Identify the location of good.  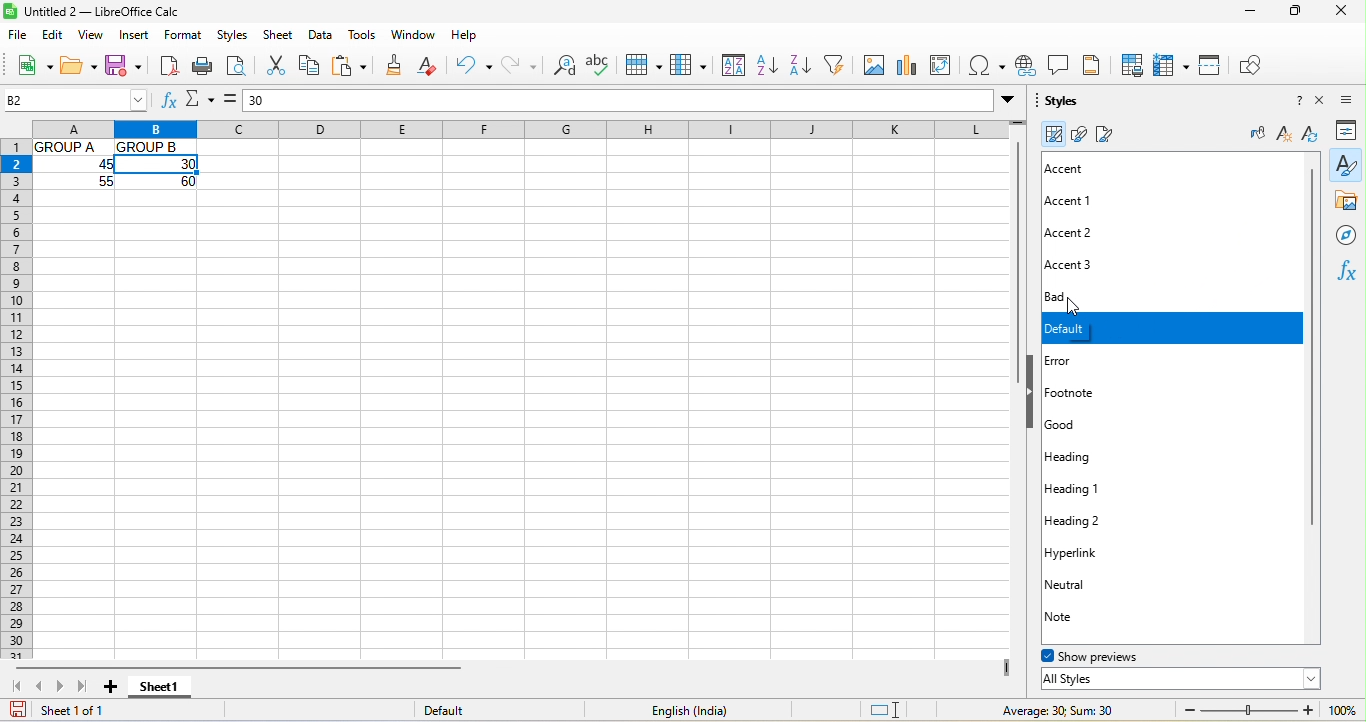
(1084, 425).